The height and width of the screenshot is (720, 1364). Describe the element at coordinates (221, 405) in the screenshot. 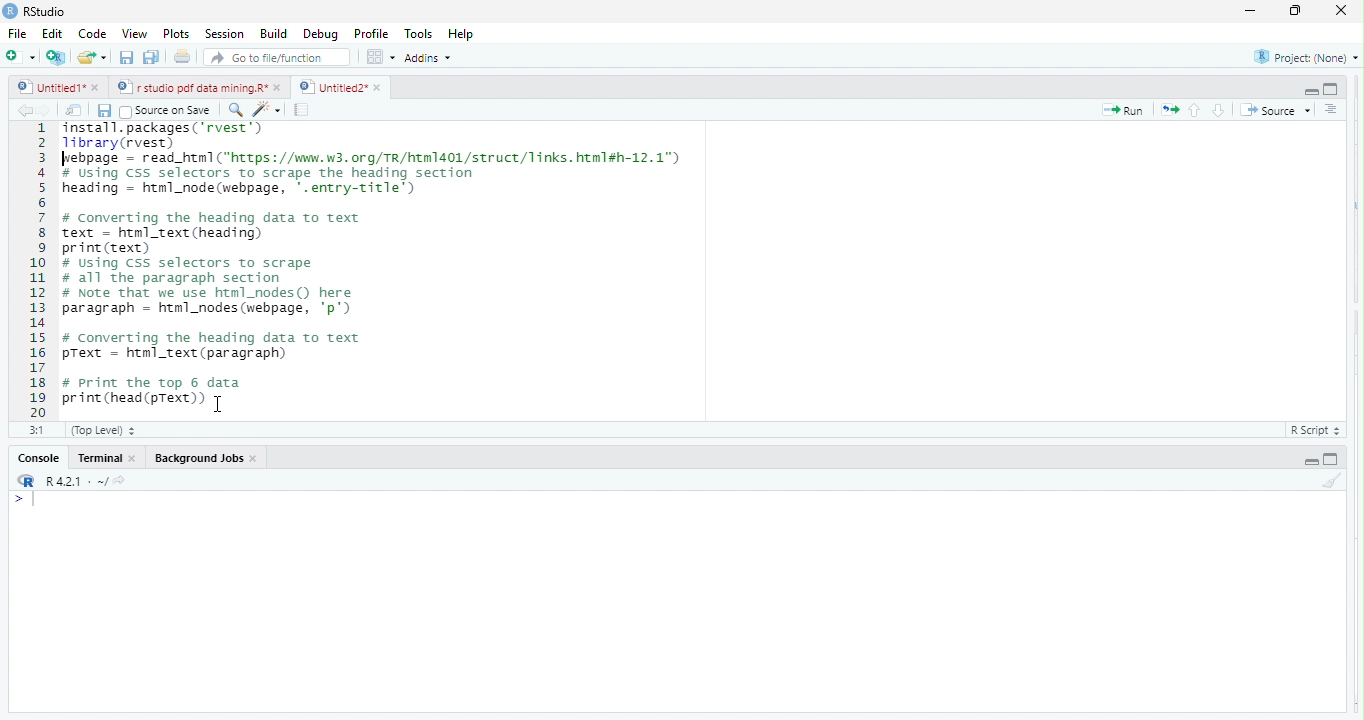

I see `cursor movement` at that location.